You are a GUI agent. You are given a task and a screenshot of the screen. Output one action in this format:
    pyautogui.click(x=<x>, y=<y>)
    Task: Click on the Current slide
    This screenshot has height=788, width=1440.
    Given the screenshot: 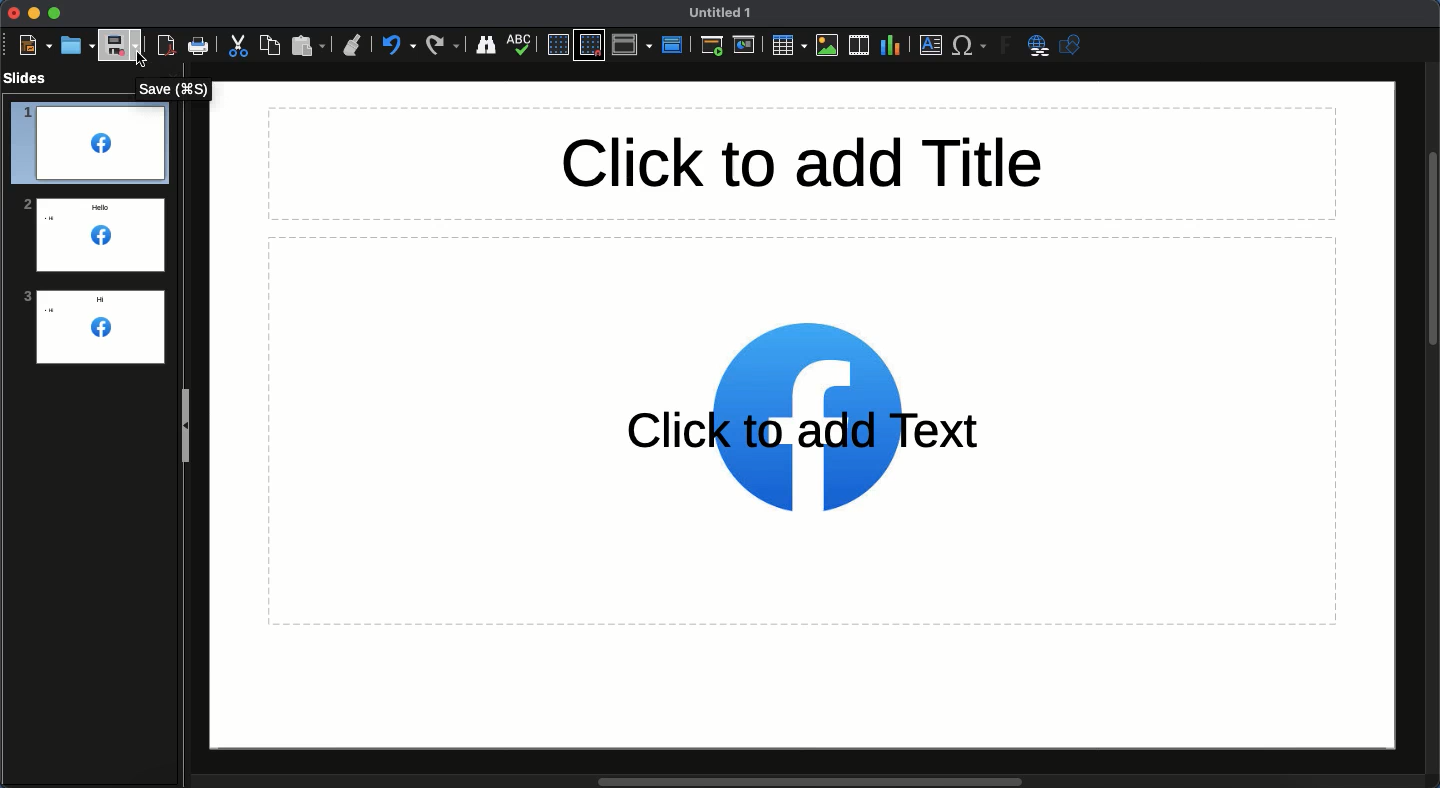 What is the action you would take?
    pyautogui.click(x=746, y=48)
    